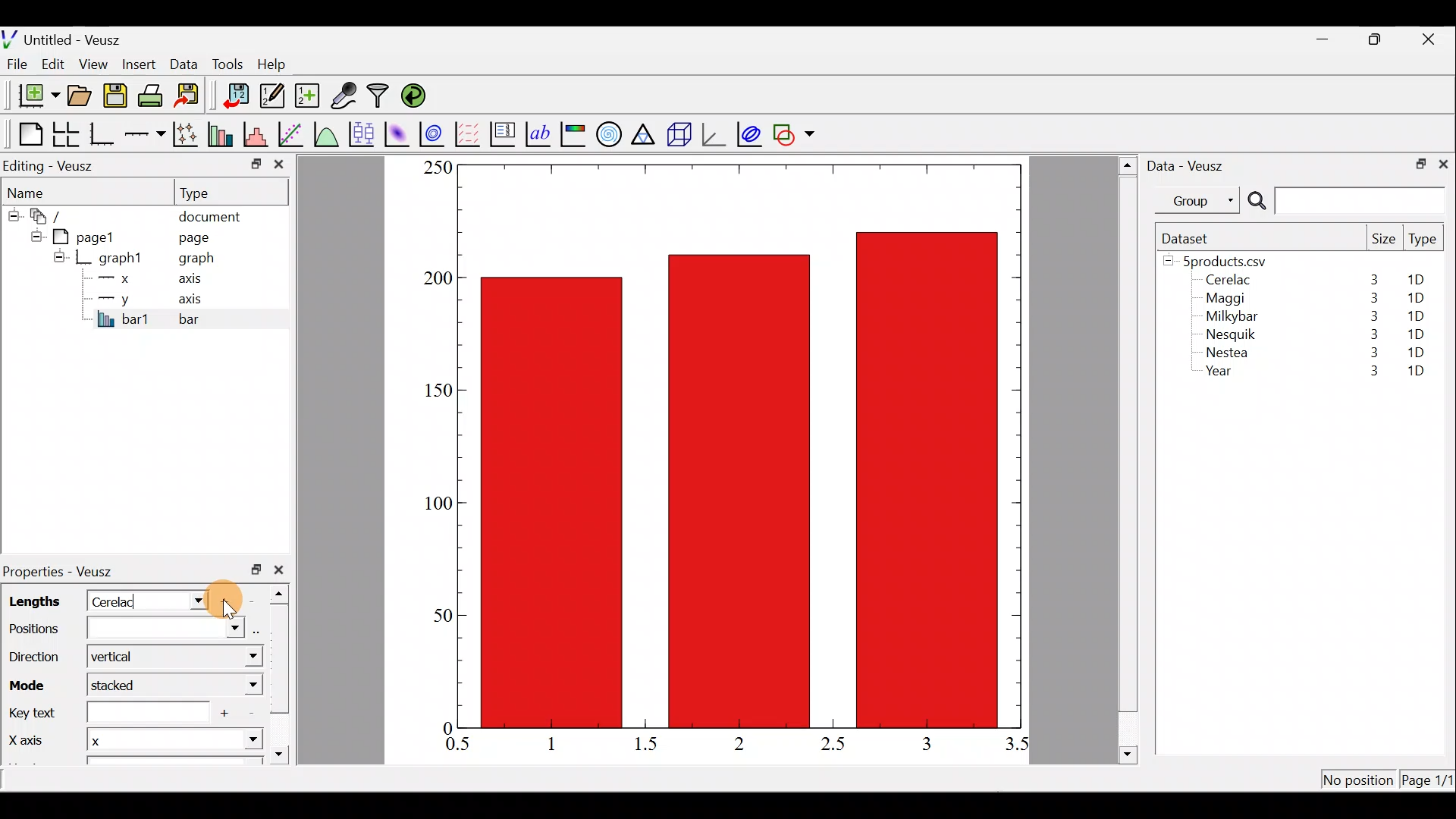  I want to click on Edit, so click(53, 63).